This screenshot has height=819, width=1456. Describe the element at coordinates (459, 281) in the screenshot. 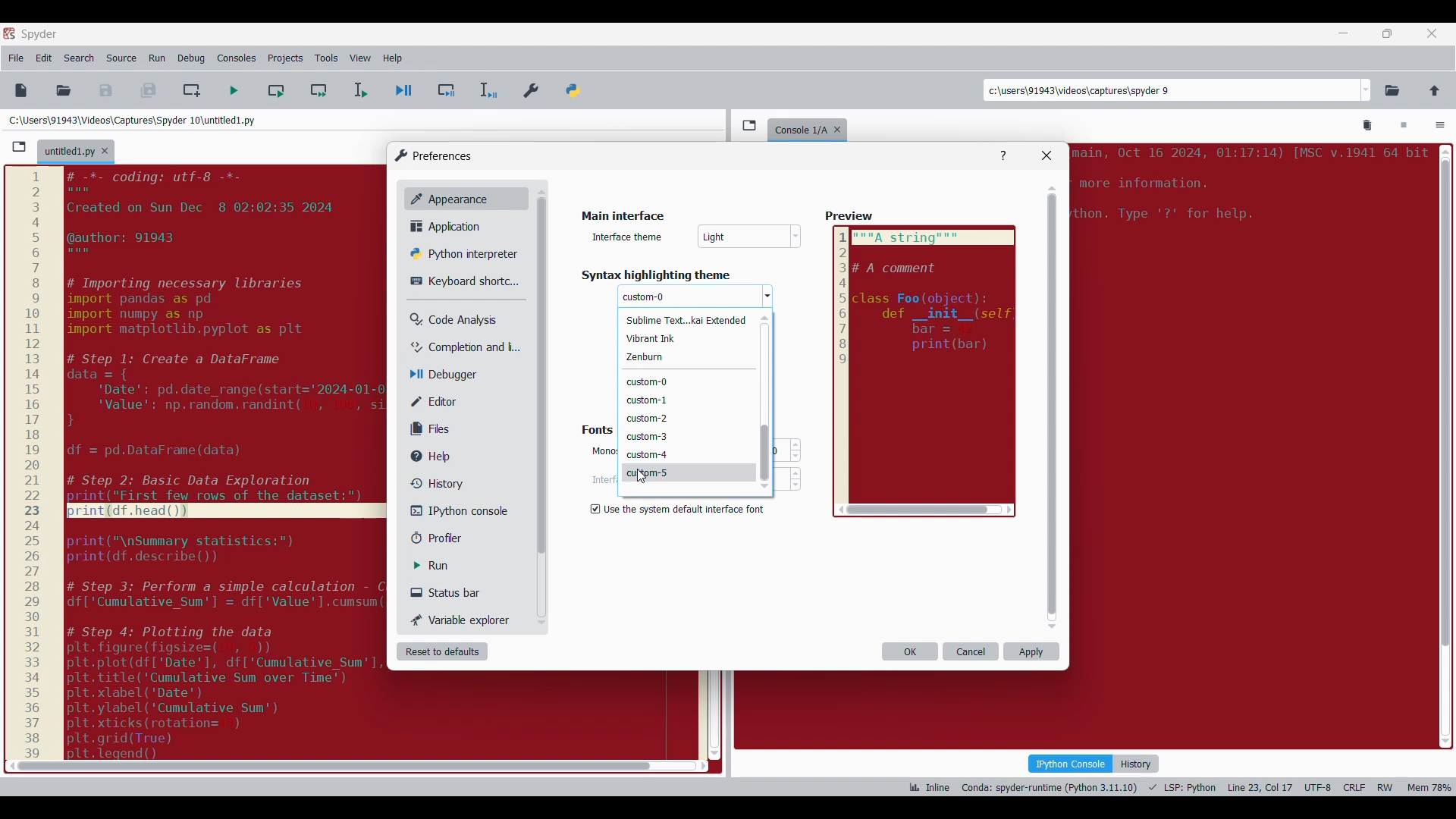

I see `Keyboard shortcut` at that location.